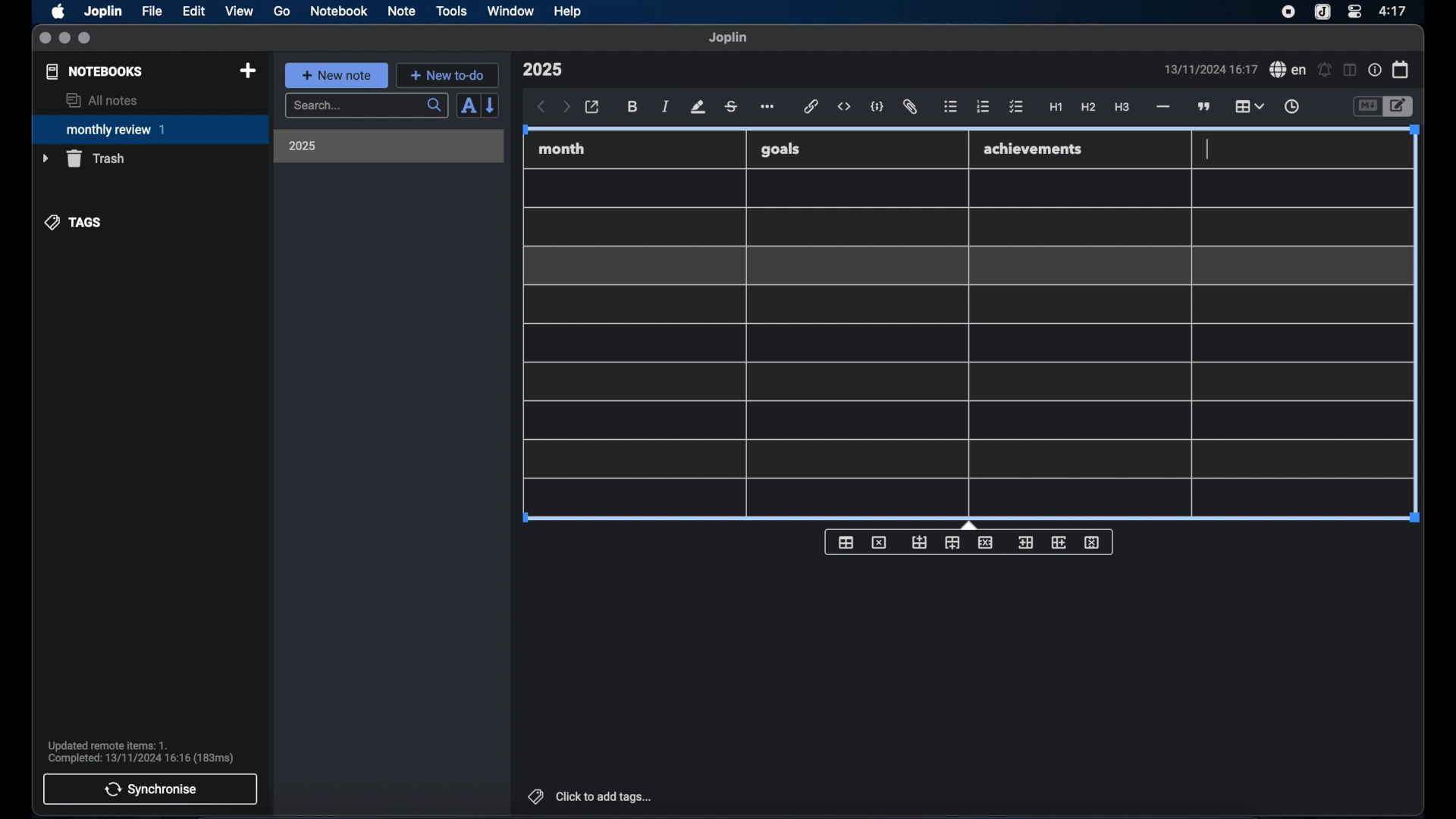 The width and height of the screenshot is (1456, 819). I want to click on bulleted list, so click(950, 107).